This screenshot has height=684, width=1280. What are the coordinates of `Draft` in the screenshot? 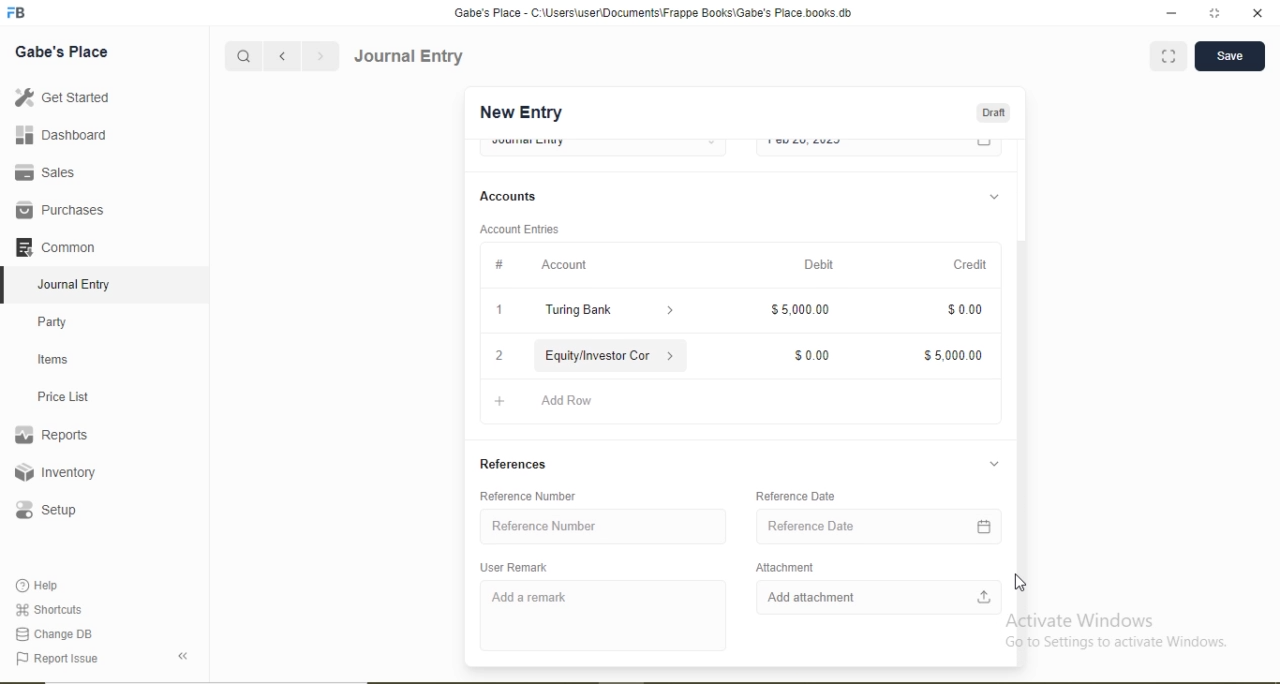 It's located at (993, 114).